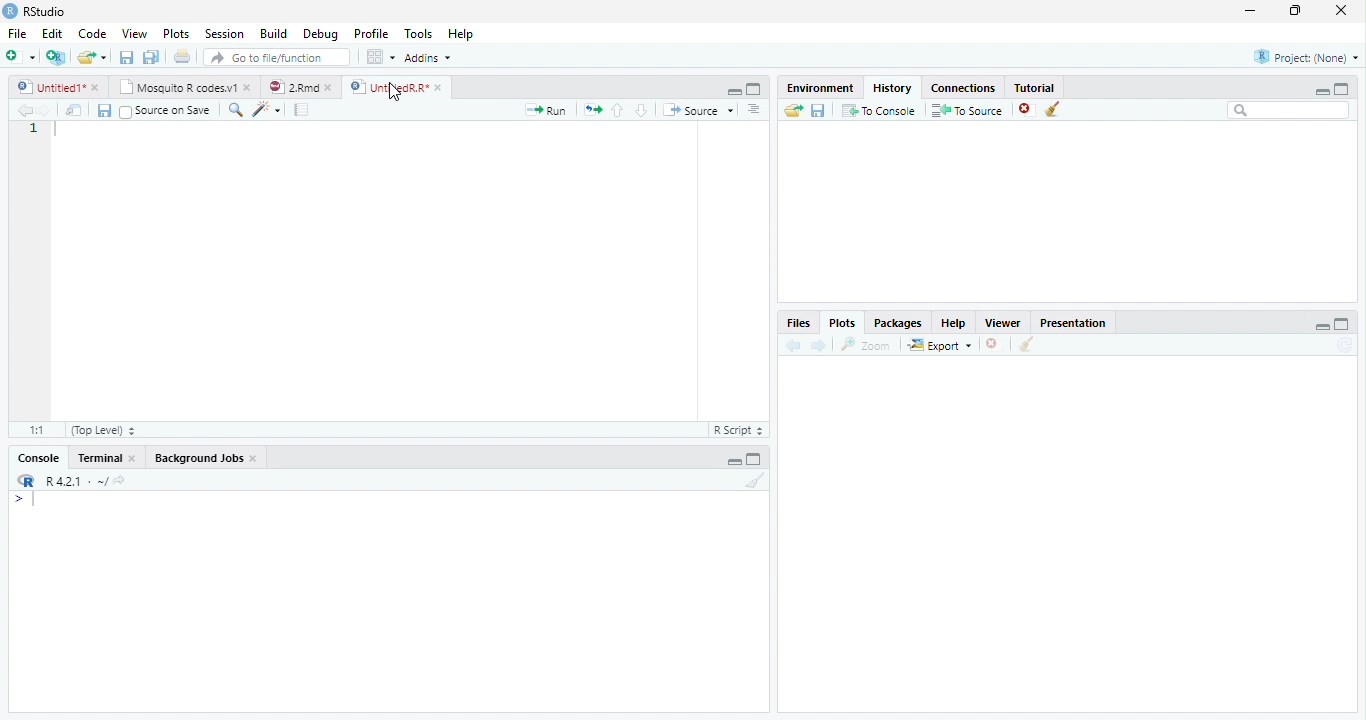 The height and width of the screenshot is (720, 1366). Describe the element at coordinates (734, 461) in the screenshot. I see `Minimize` at that location.